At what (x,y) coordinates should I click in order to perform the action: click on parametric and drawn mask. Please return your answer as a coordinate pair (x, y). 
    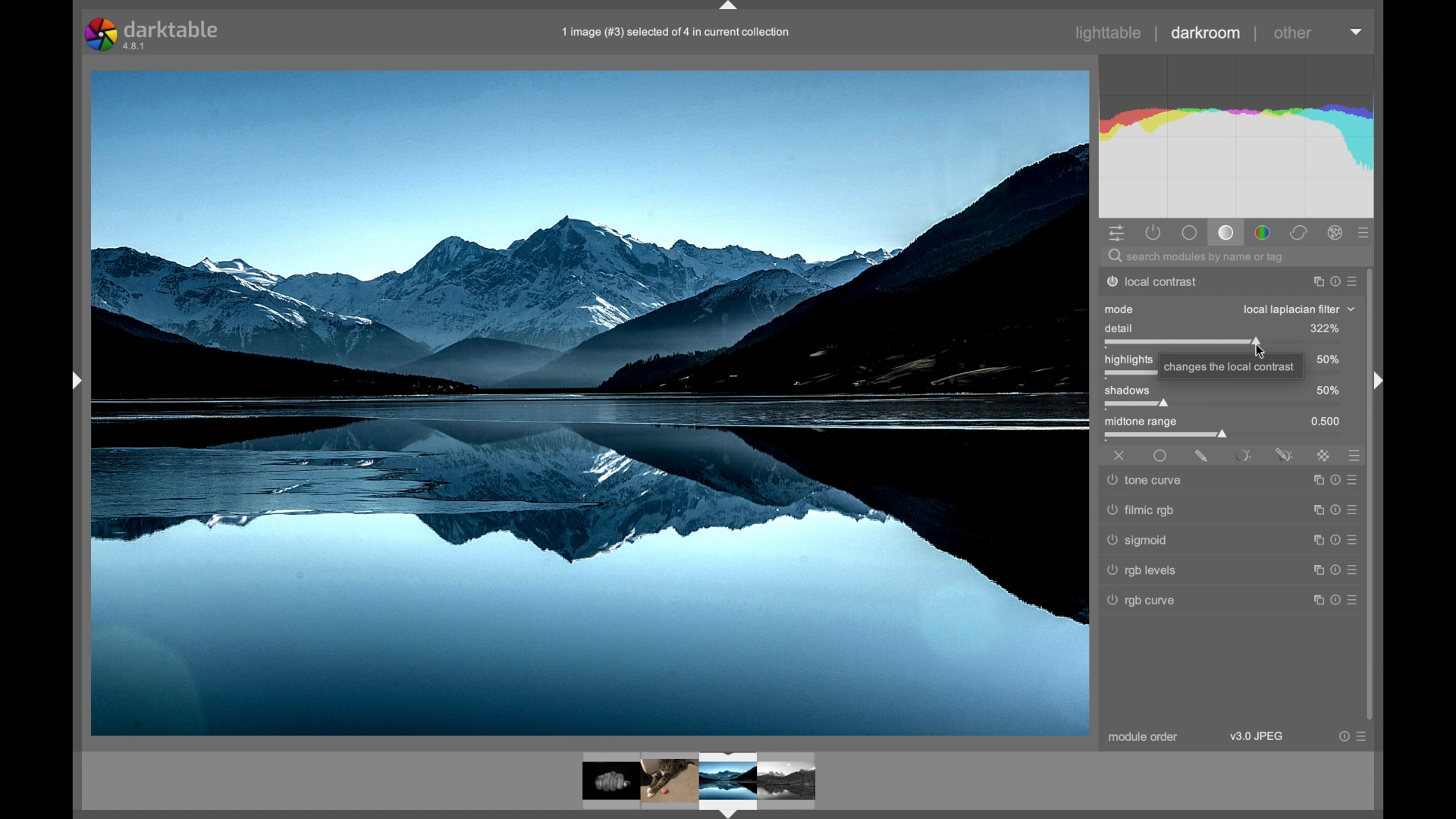
    Looking at the image, I should click on (1284, 455).